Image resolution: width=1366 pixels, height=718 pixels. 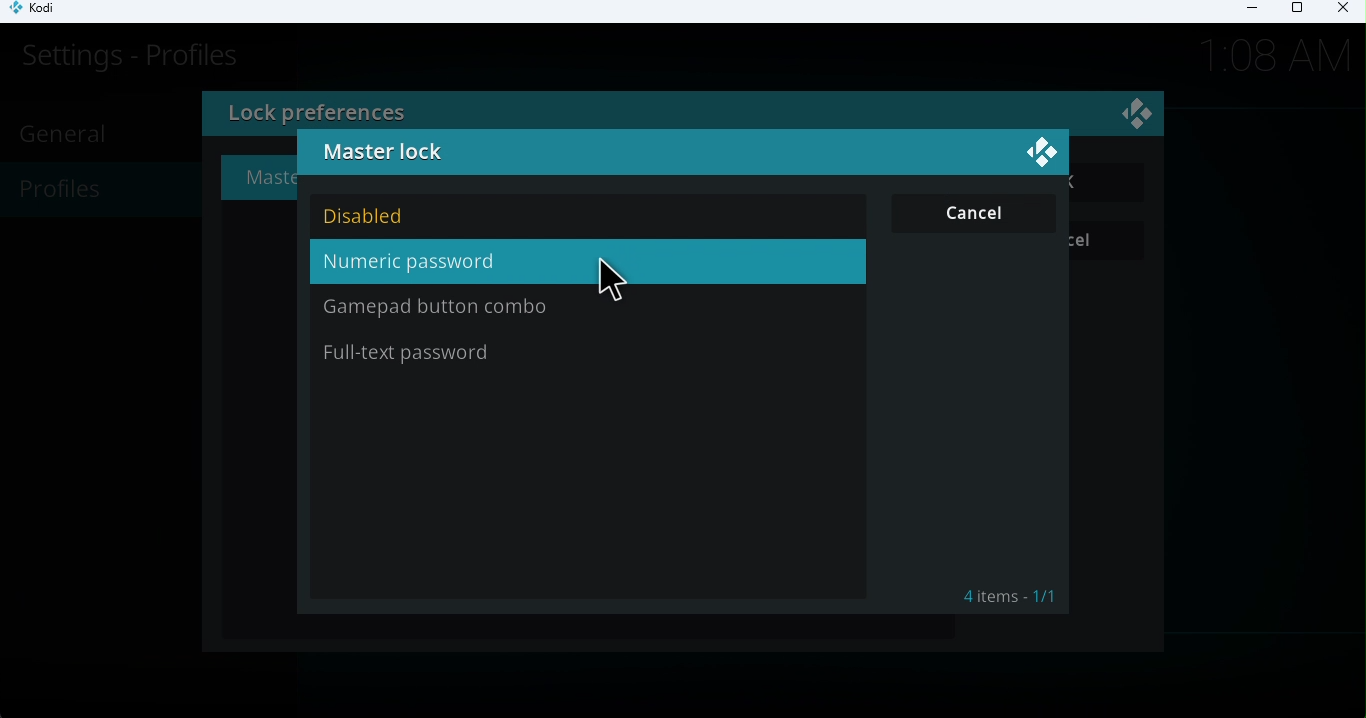 I want to click on Minimize, so click(x=1245, y=11).